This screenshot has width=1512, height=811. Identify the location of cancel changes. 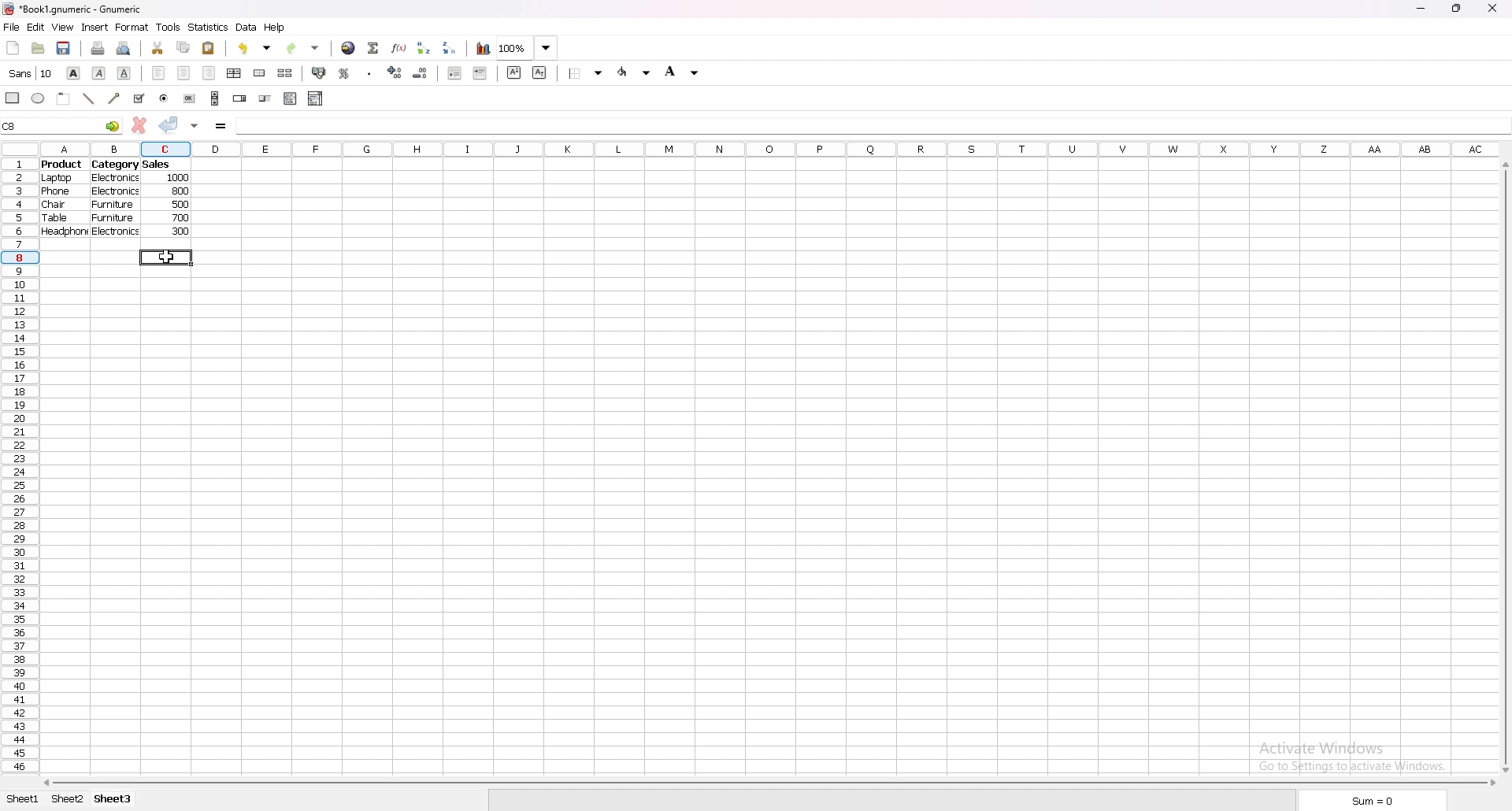
(139, 124).